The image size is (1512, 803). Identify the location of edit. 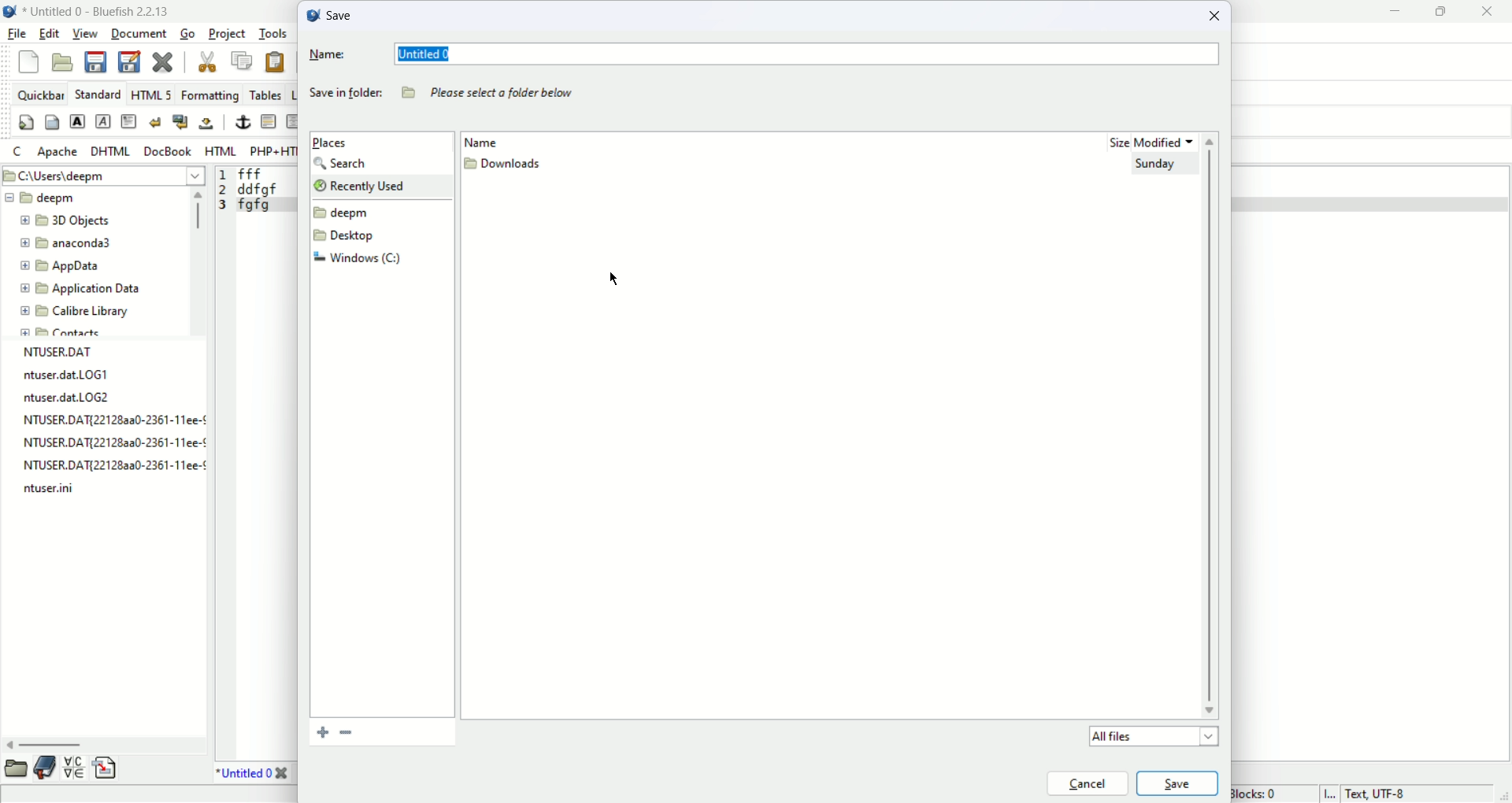
(50, 33).